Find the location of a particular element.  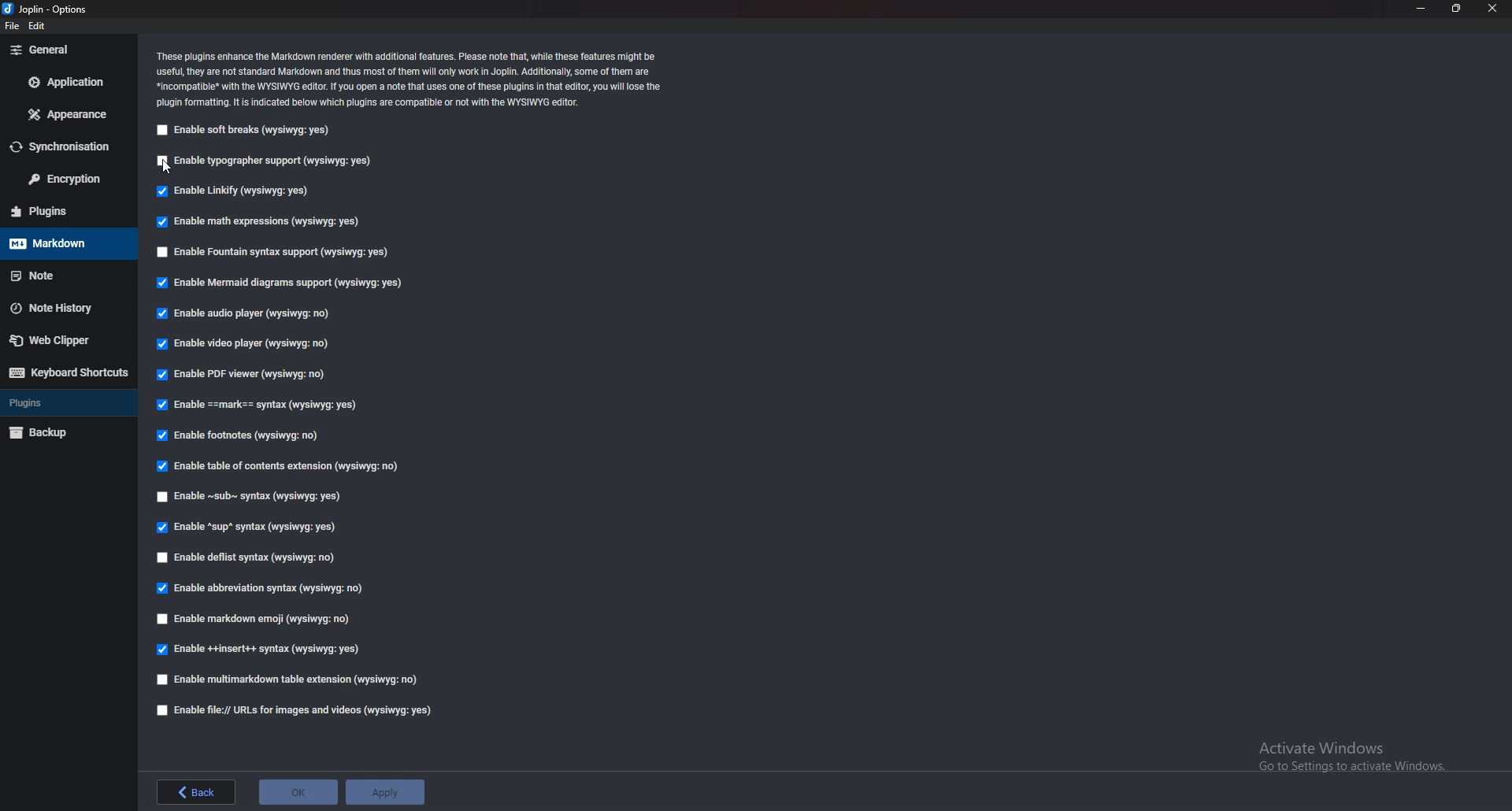

appearance is located at coordinates (67, 114).